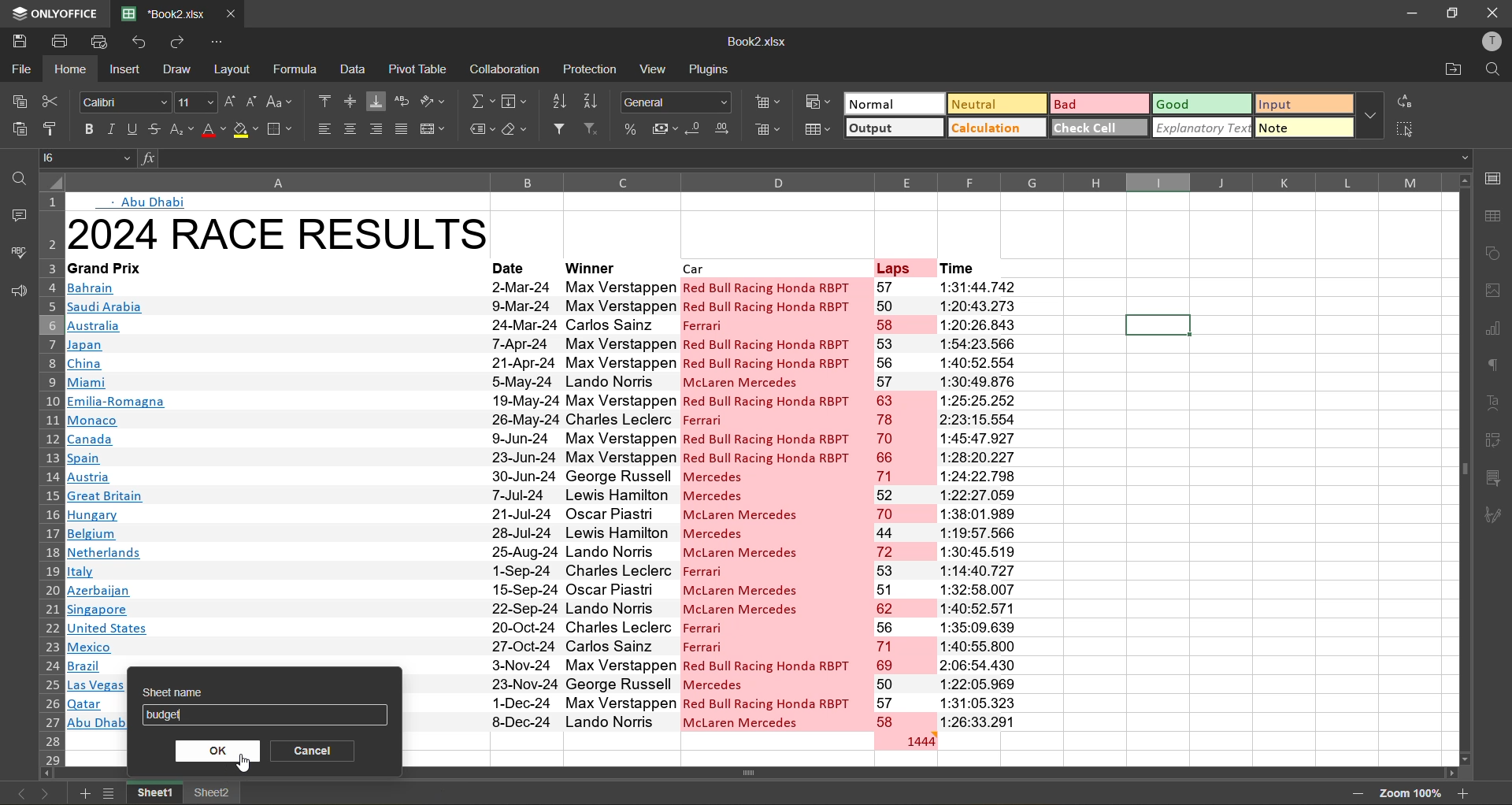 Image resolution: width=1512 pixels, height=805 pixels. What do you see at coordinates (17, 39) in the screenshot?
I see `save` at bounding box center [17, 39].